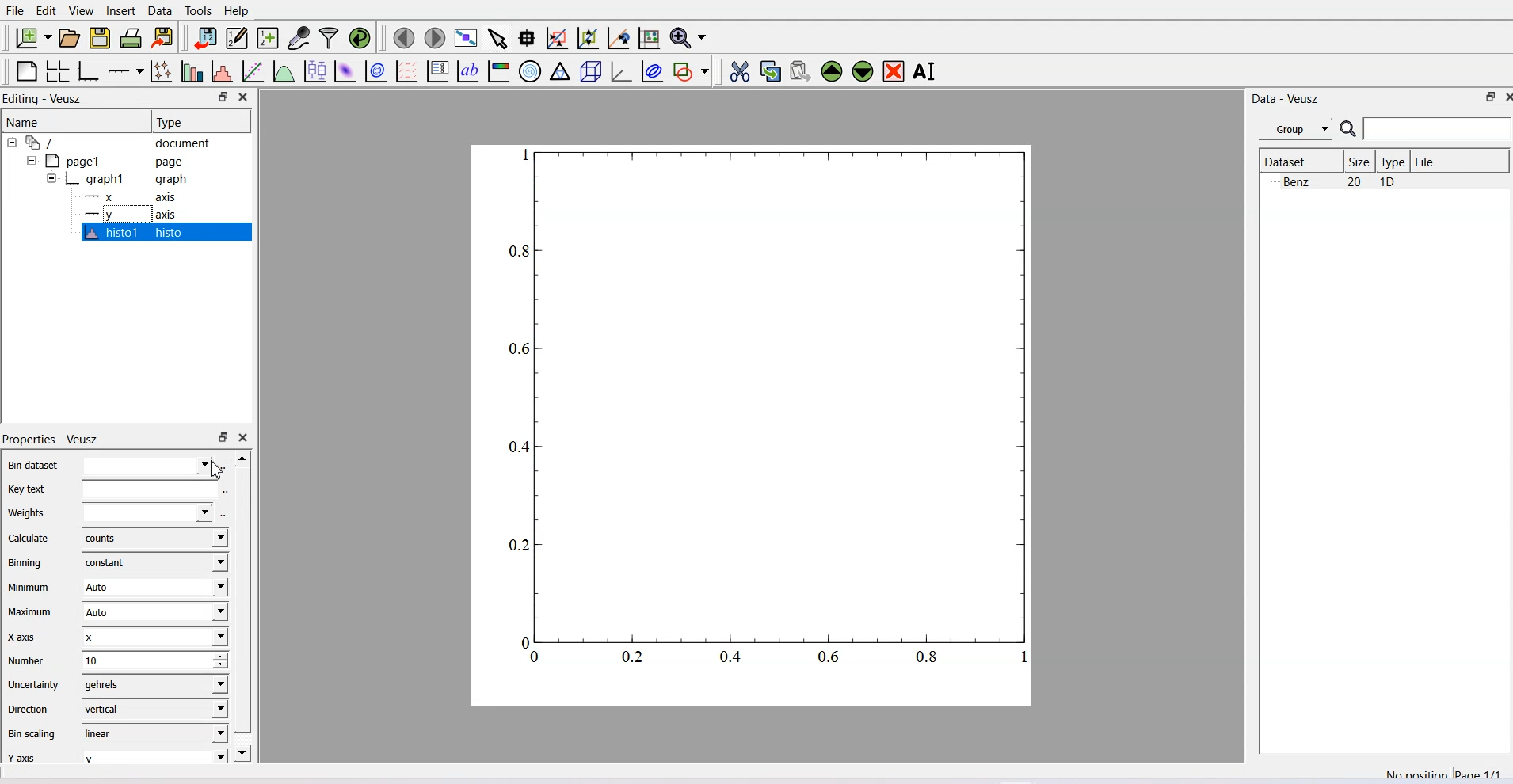 This screenshot has height=784, width=1513. Describe the element at coordinates (1492, 97) in the screenshot. I see `Maximize` at that location.